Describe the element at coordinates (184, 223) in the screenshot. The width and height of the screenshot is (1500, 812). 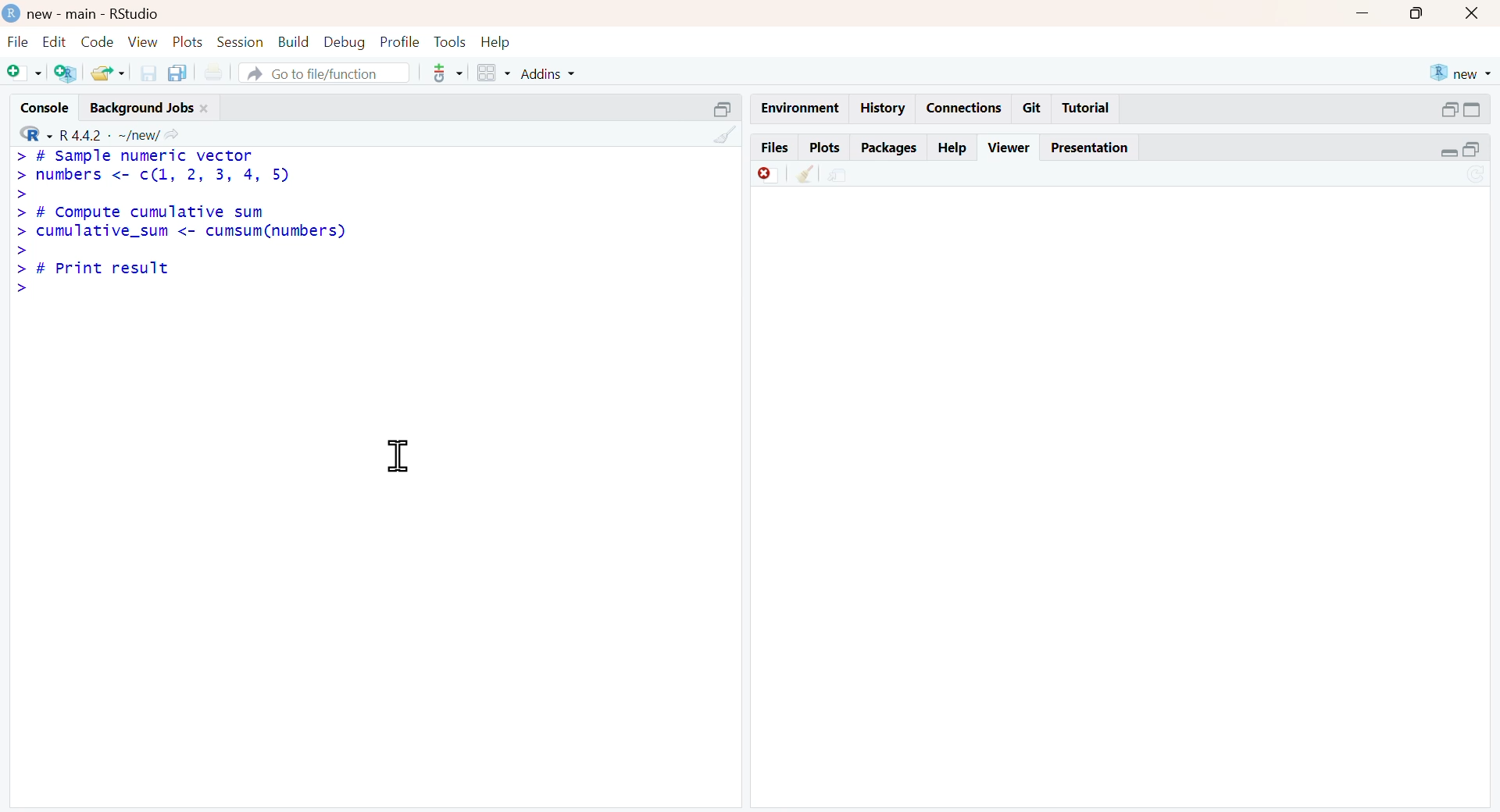
I see `> # Sample numeric vector

> numbers <- c(1, 2, 3, 4, 5)

>

> # Compute cumulative sum

> cumulative_sum <- cumsum(numbers)
>

> # Print result

>` at that location.